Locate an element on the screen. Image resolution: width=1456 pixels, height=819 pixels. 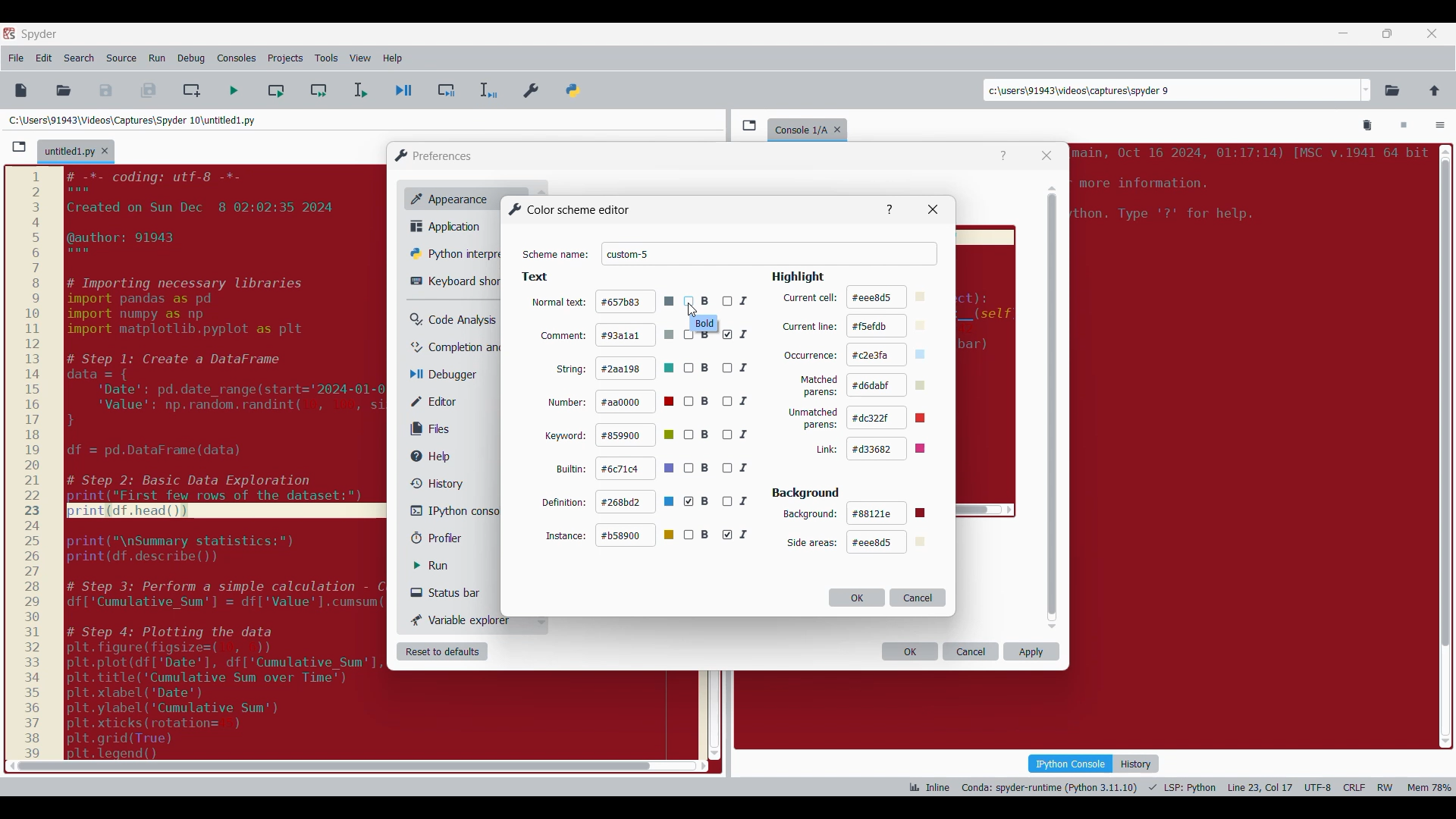
I is located at coordinates (737, 299).